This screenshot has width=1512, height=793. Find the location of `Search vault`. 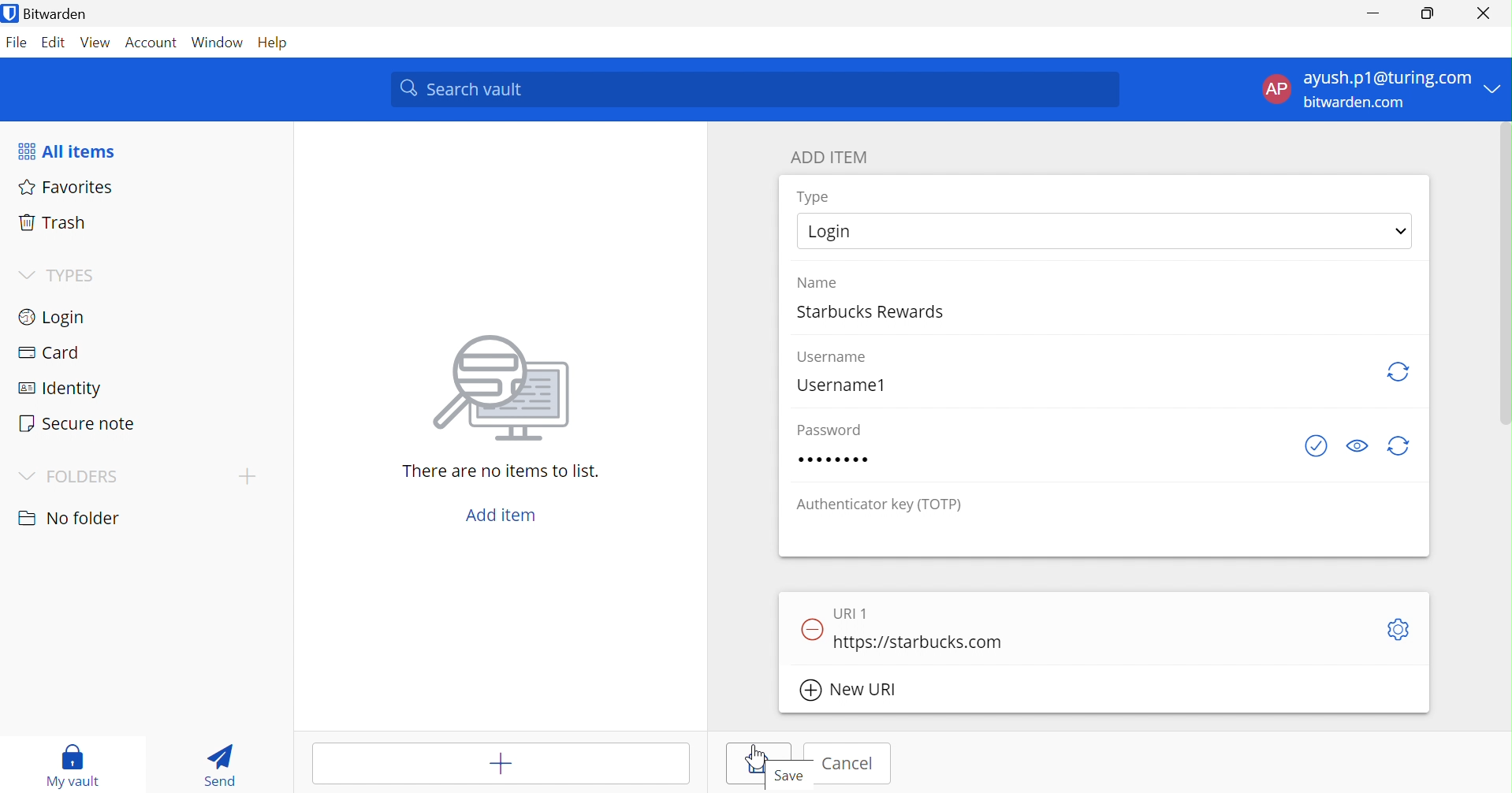

Search vault is located at coordinates (754, 90).